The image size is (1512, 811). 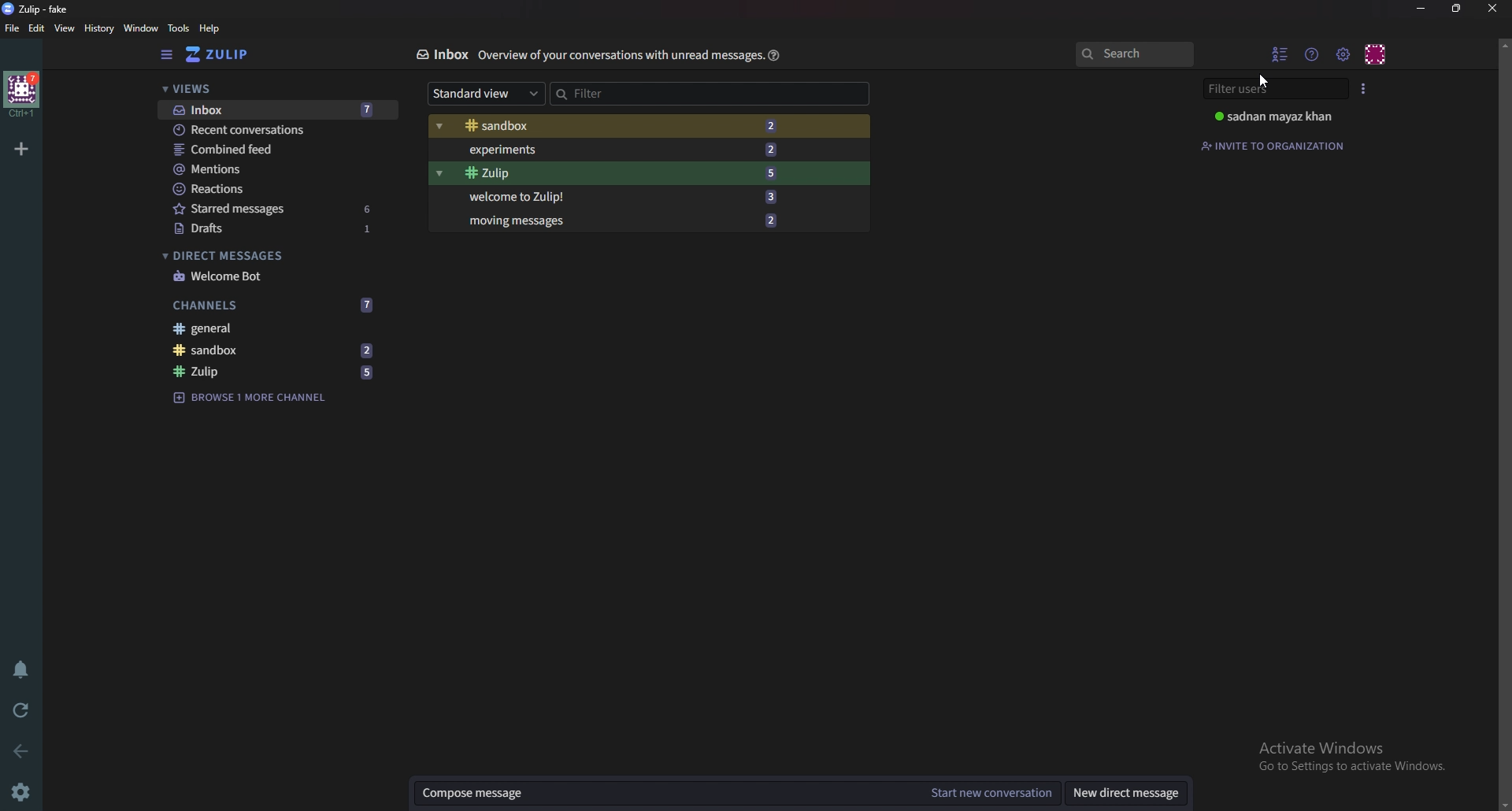 What do you see at coordinates (437, 54) in the screenshot?
I see `Inbox` at bounding box center [437, 54].